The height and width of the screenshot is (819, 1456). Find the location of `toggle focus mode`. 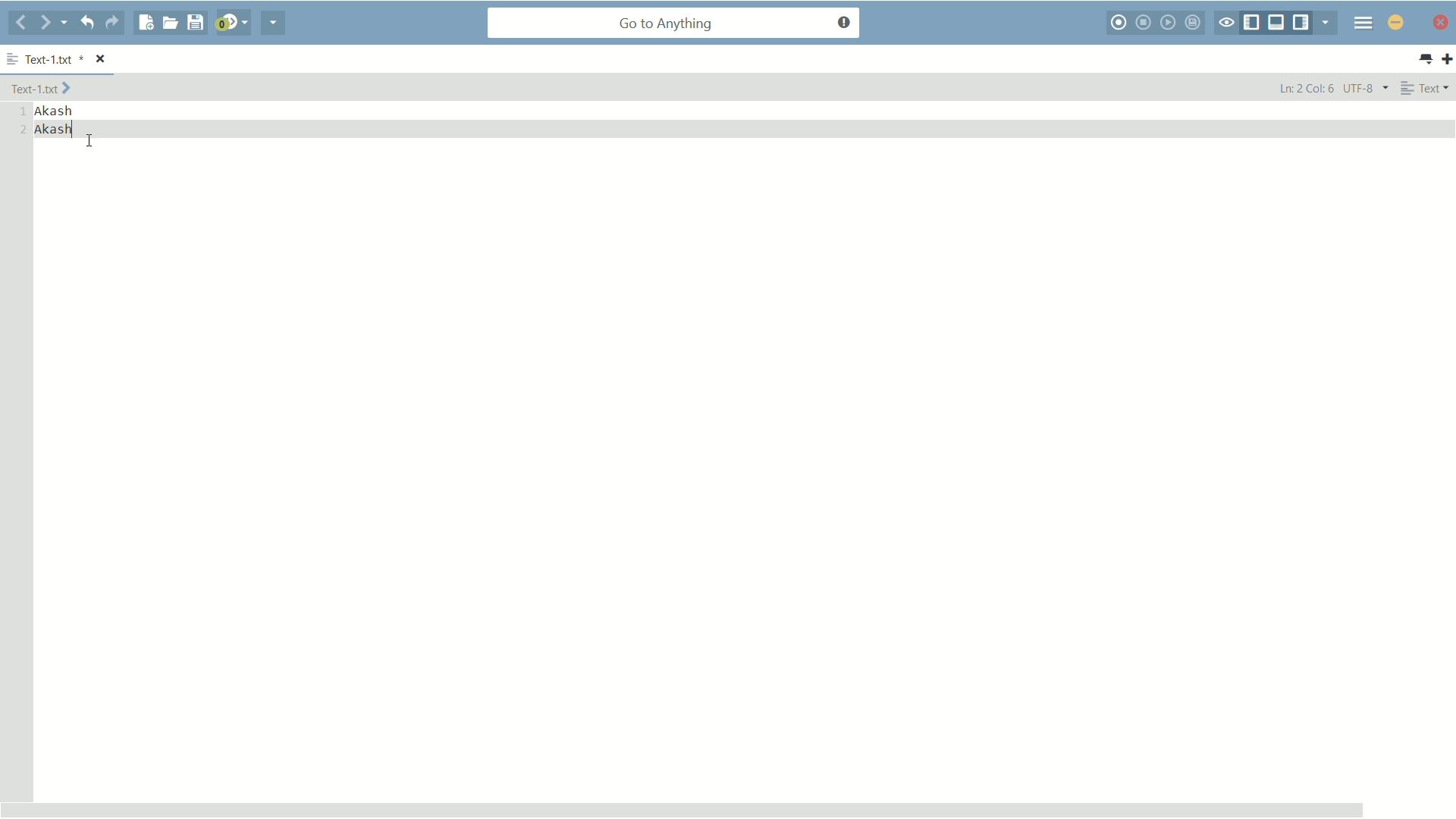

toggle focus mode is located at coordinates (1225, 23).